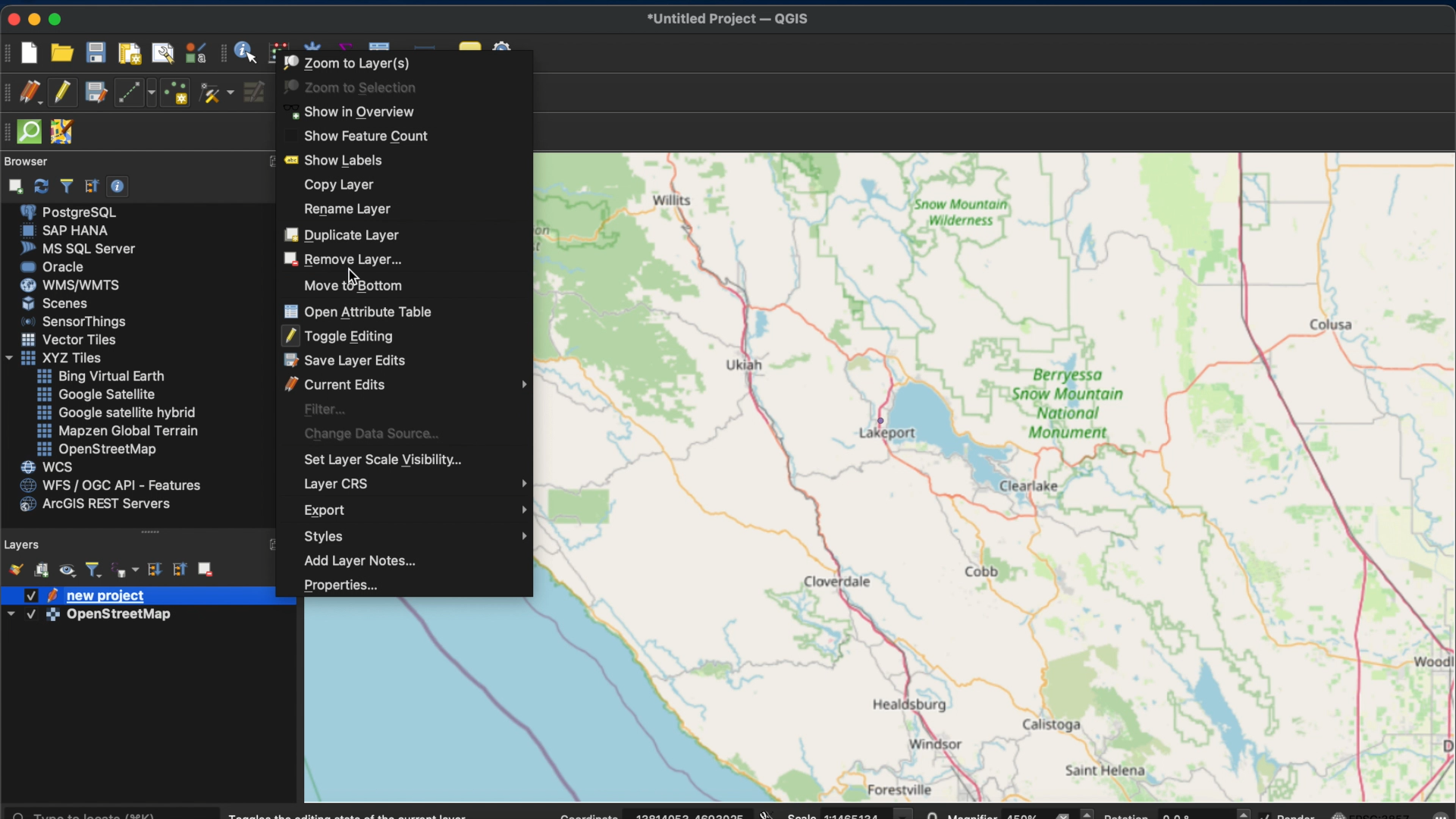 This screenshot has width=1456, height=819. Describe the element at coordinates (256, 94) in the screenshot. I see `modify attributes` at that location.